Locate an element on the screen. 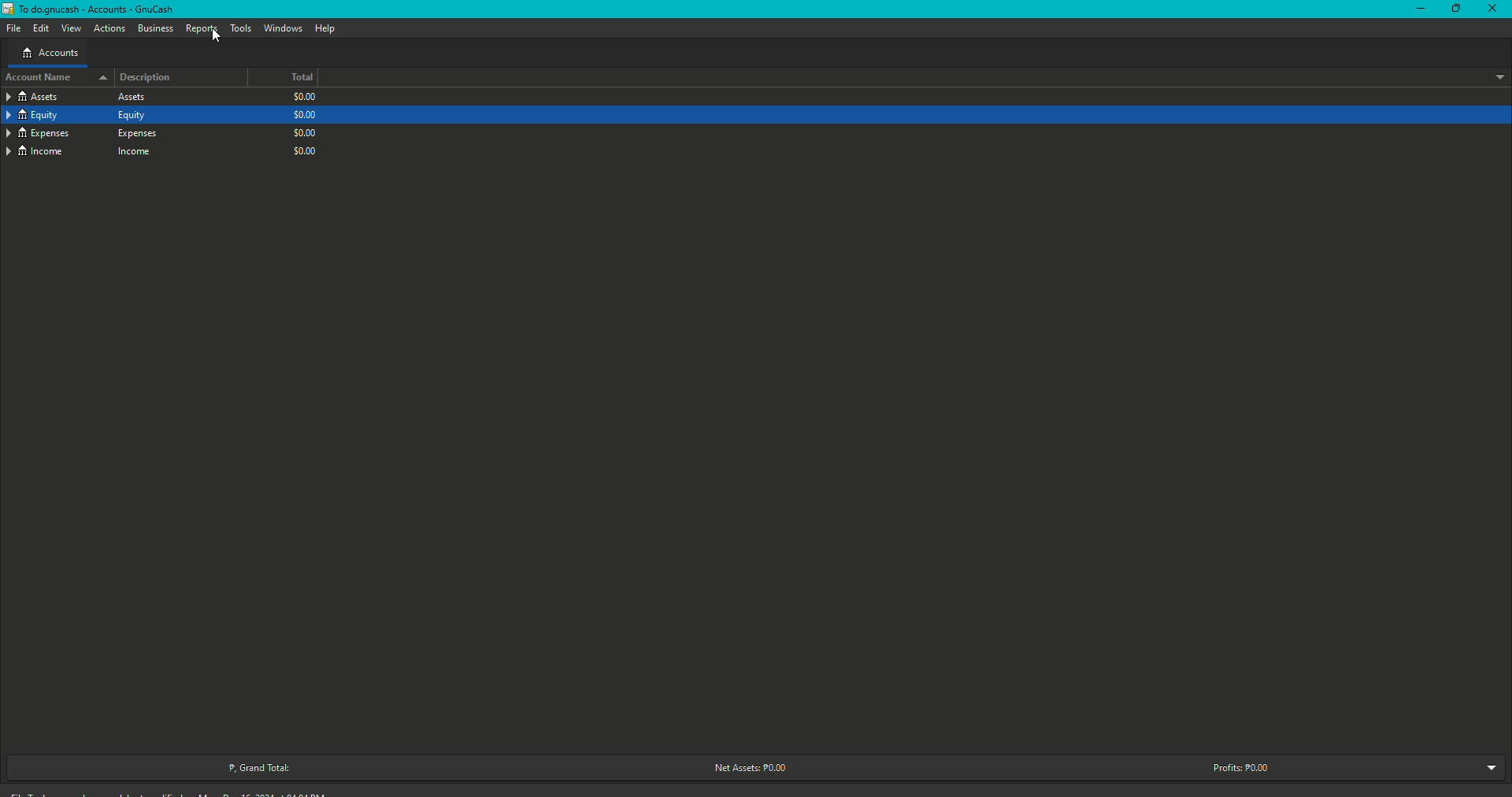 The width and height of the screenshot is (1512, 797). Account name is located at coordinates (55, 77).